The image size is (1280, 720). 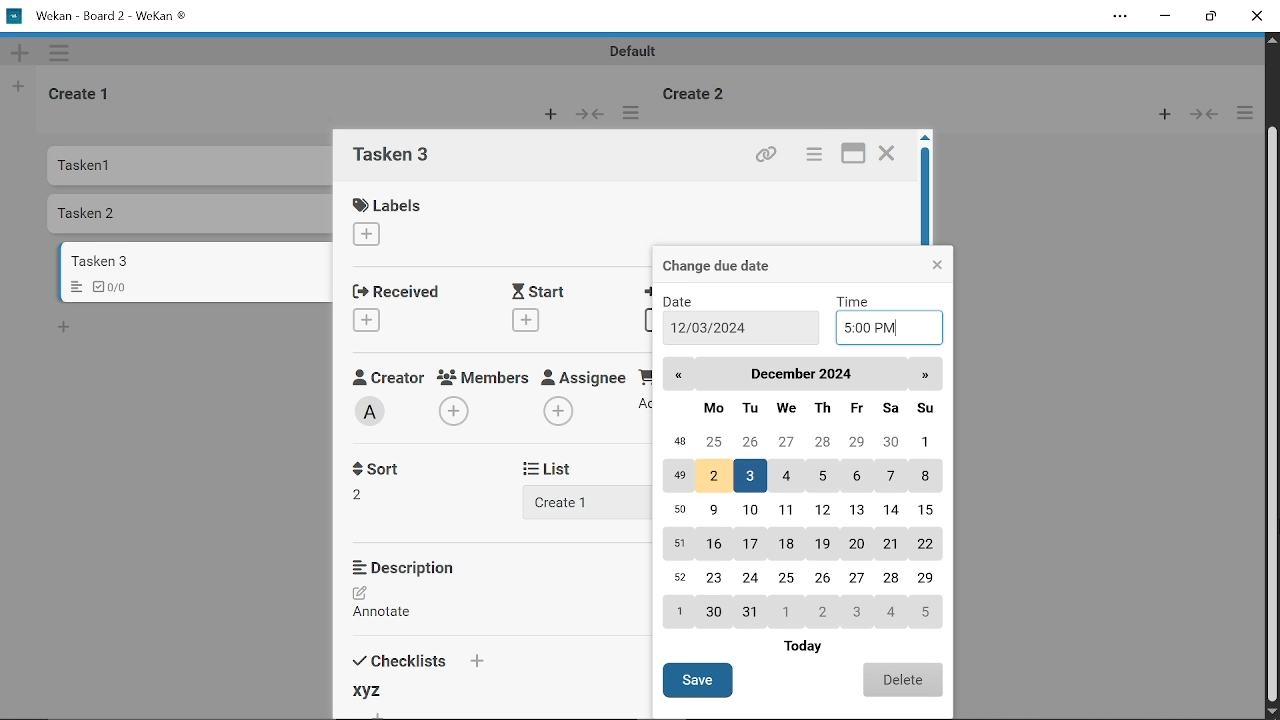 I want to click on Received, so click(x=394, y=290).